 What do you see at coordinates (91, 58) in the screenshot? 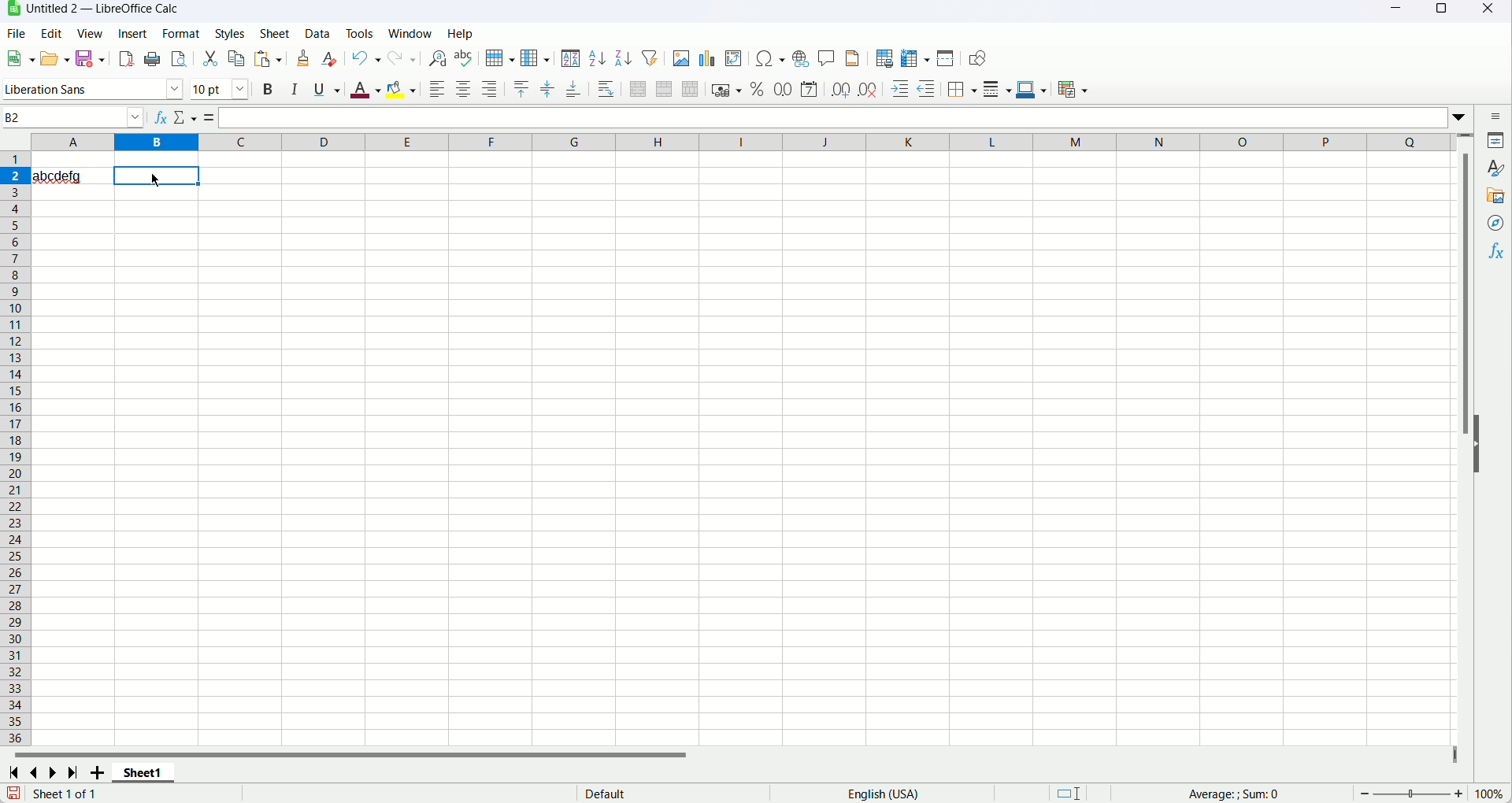
I see `save` at bounding box center [91, 58].